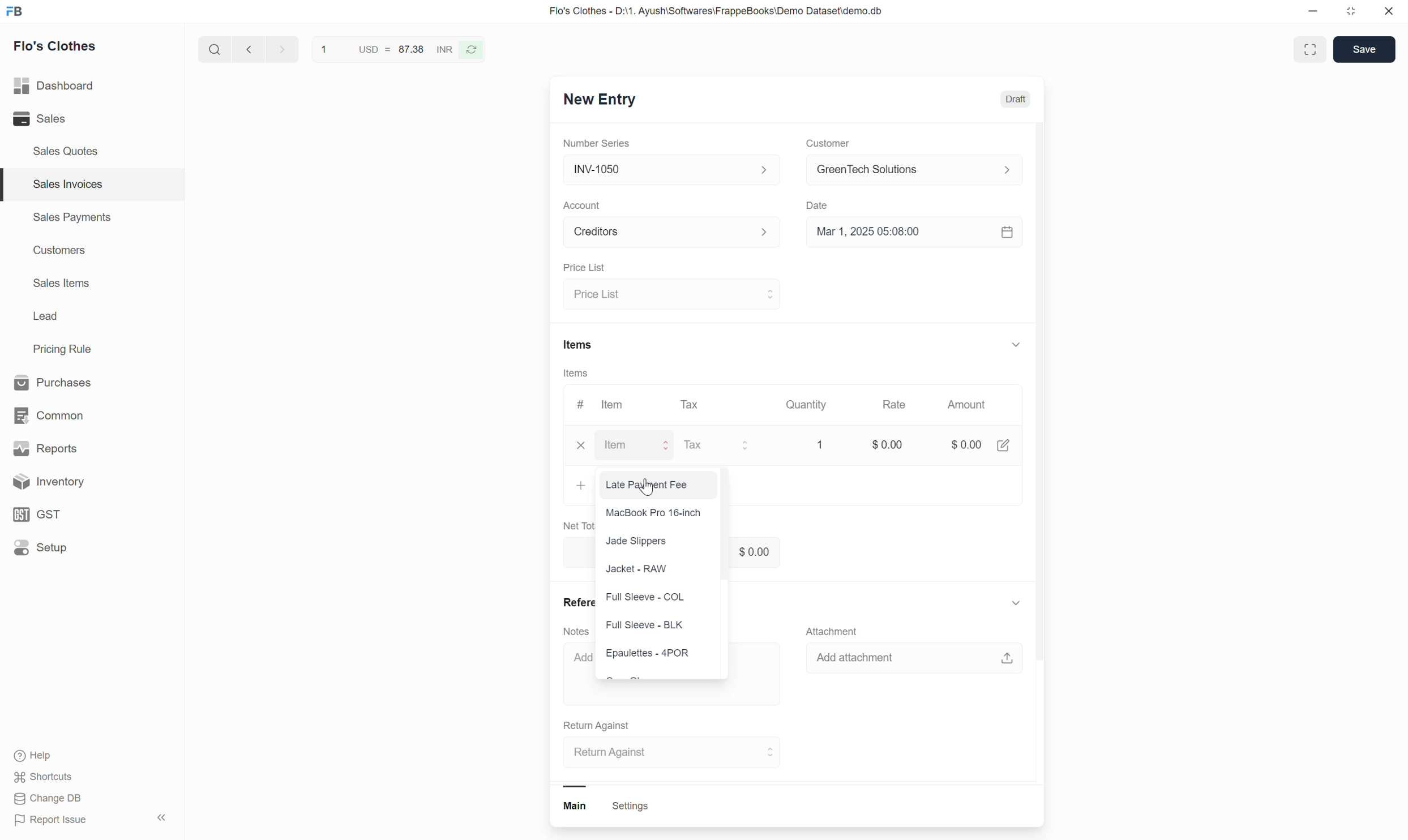 This screenshot has height=840, width=1408. Describe the element at coordinates (76, 447) in the screenshot. I see `Reports ` at that location.